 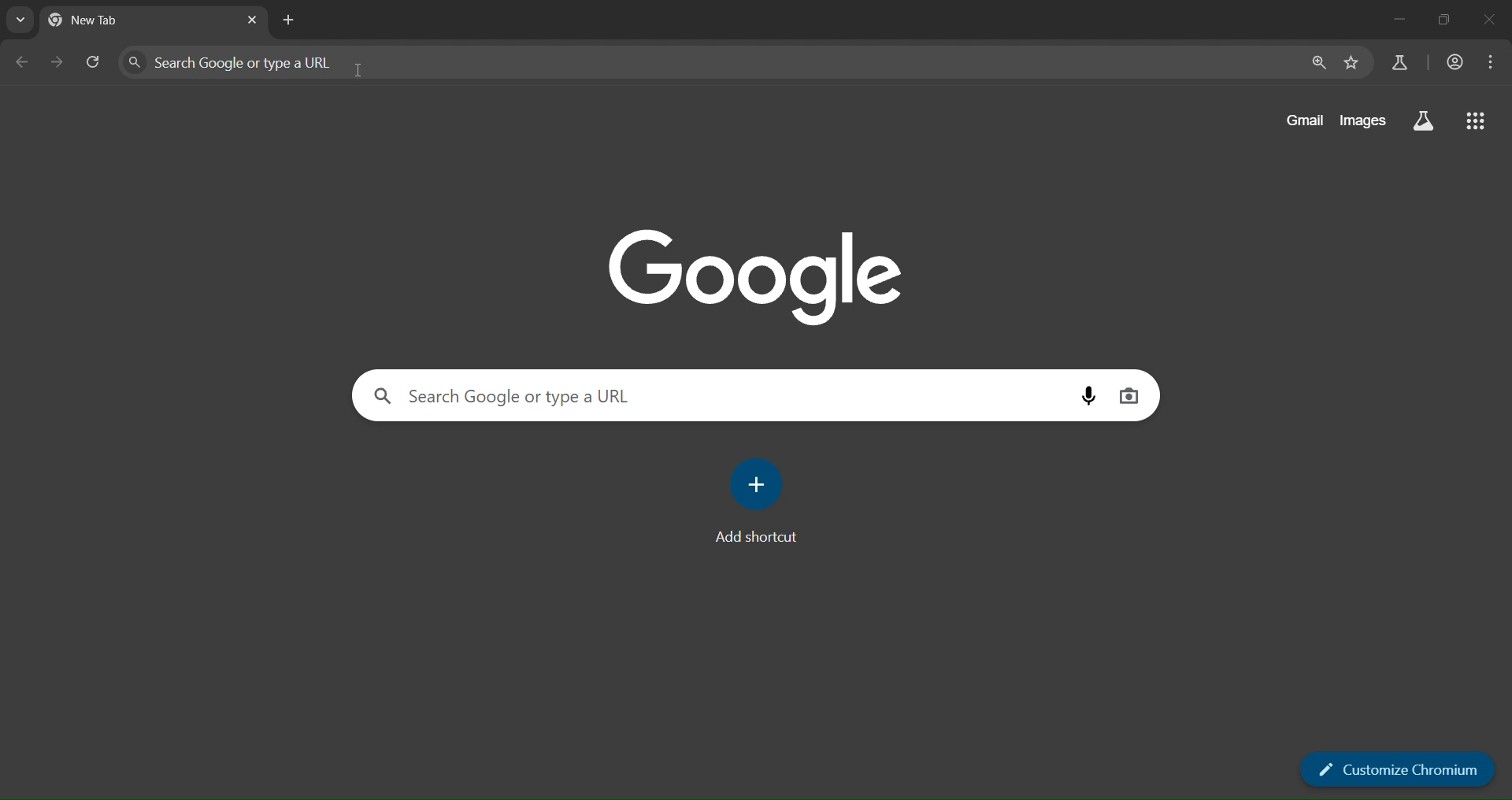 I want to click on gmail, so click(x=1304, y=120).